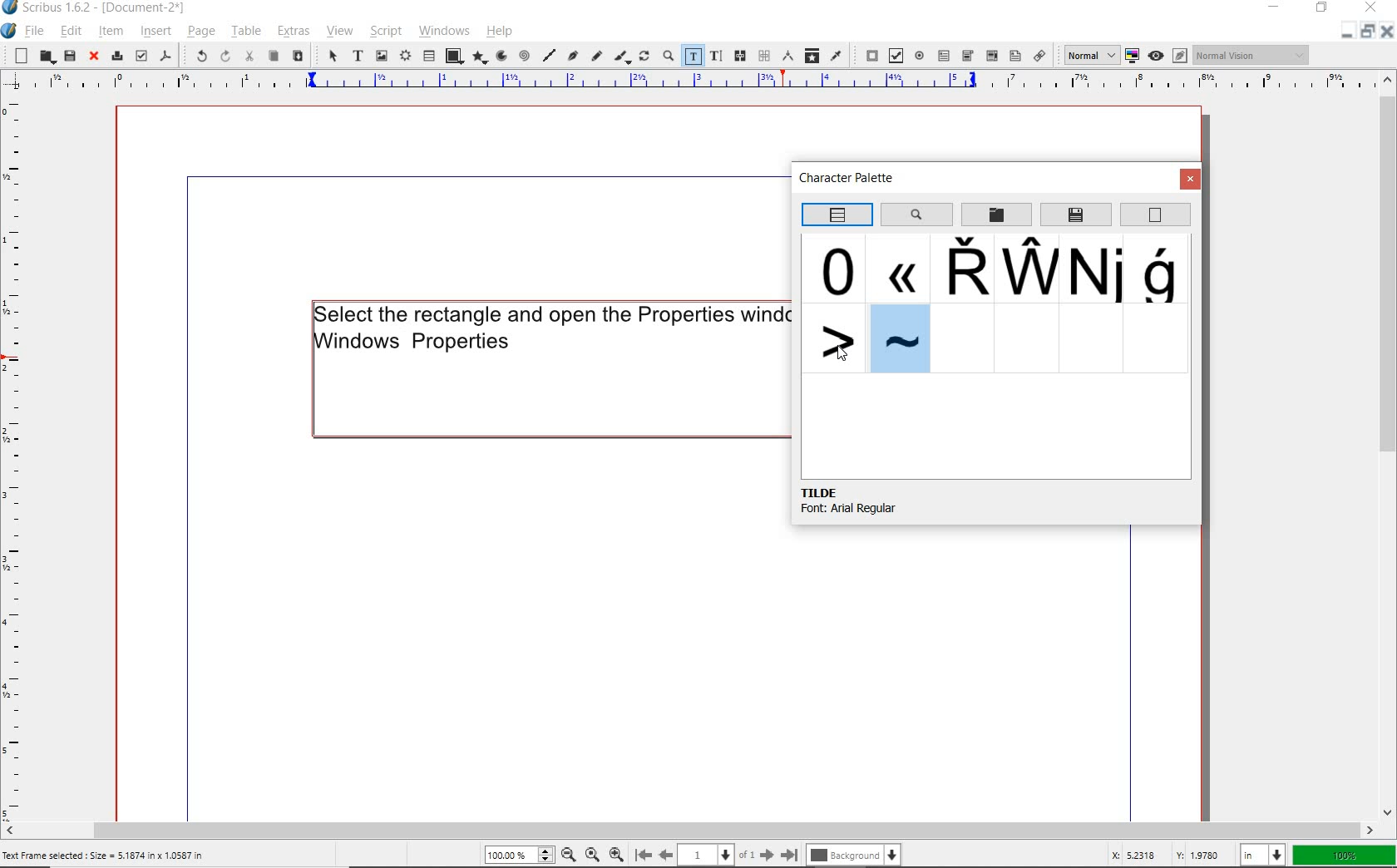 This screenshot has height=868, width=1397. Describe the element at coordinates (1077, 215) in the screenshot. I see `save the character palette` at that location.